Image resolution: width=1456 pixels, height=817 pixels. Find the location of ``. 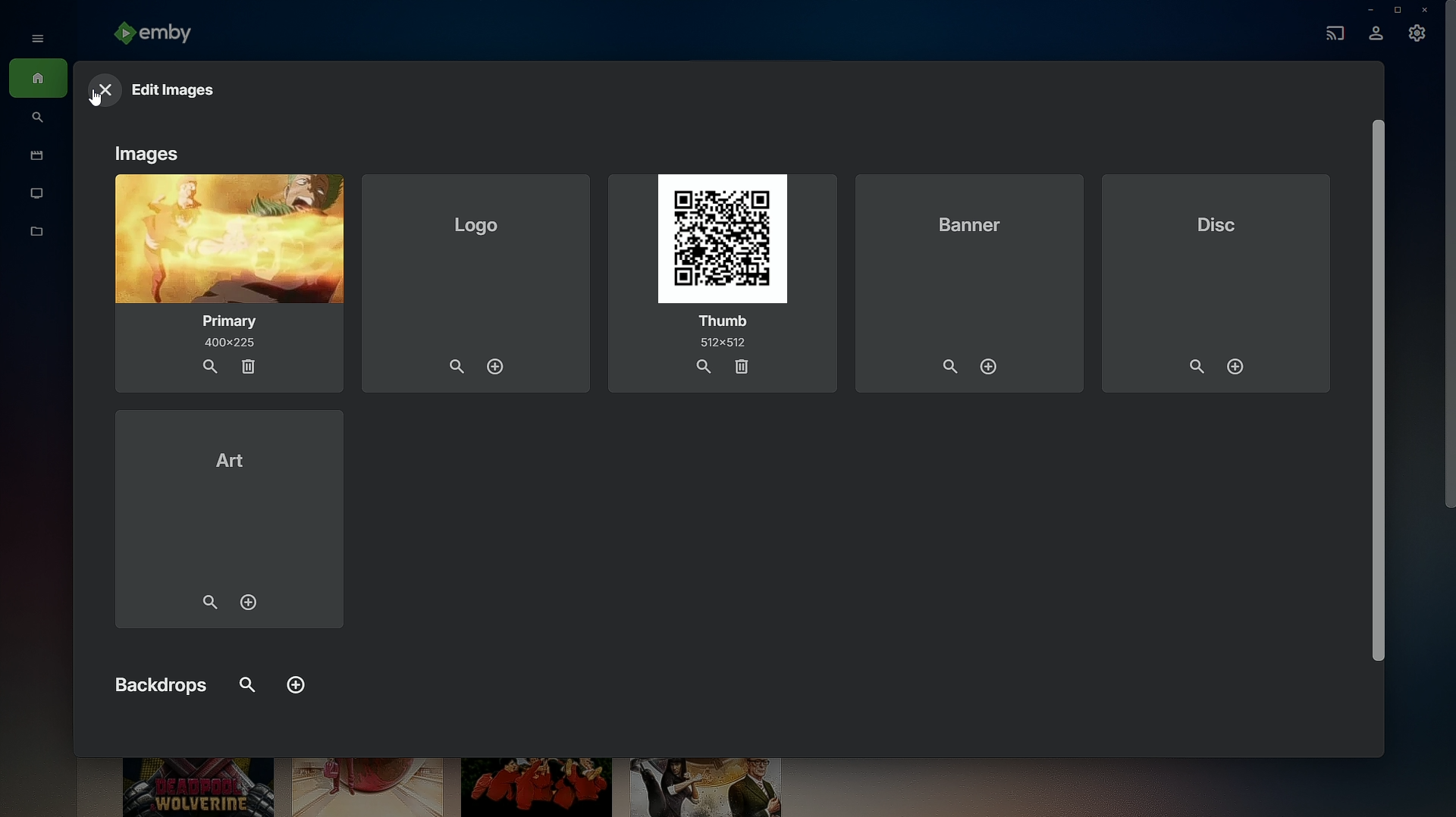

 is located at coordinates (1377, 392).